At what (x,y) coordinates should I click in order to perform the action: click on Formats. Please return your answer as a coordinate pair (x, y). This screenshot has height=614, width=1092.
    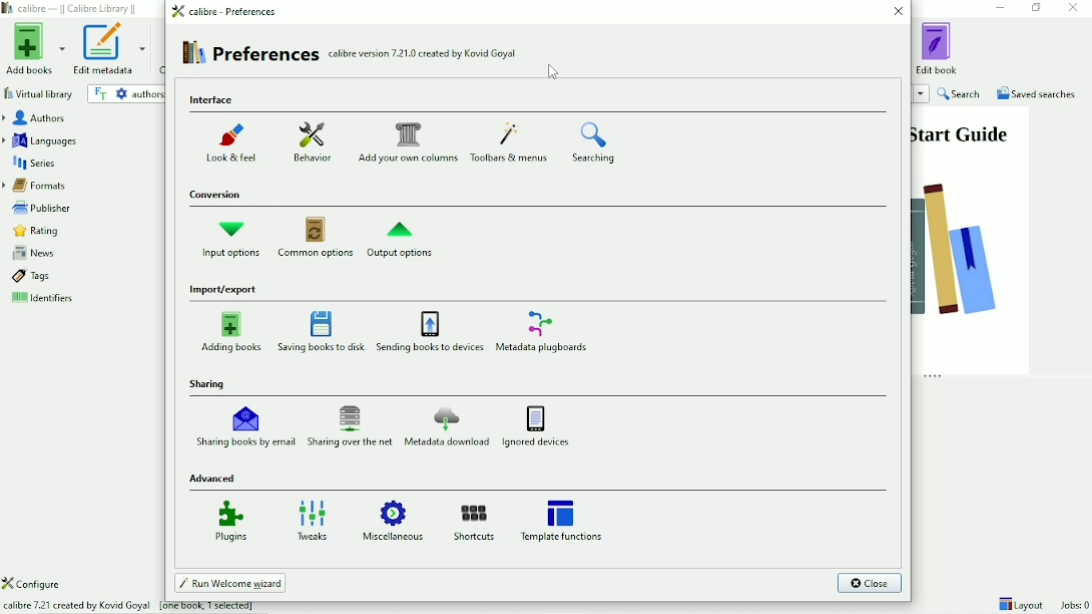
    Looking at the image, I should click on (78, 186).